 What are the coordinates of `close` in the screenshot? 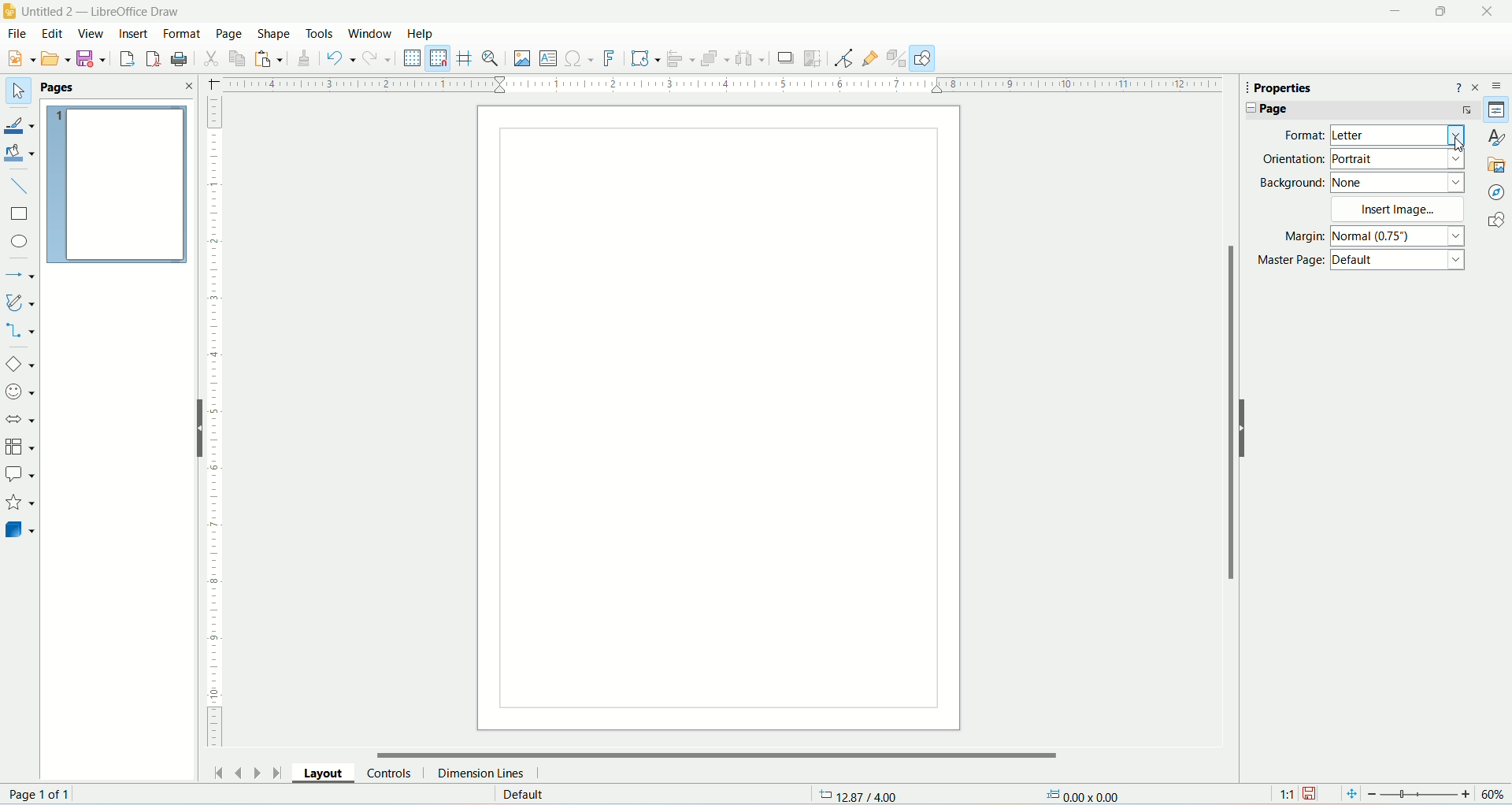 It's located at (190, 84).